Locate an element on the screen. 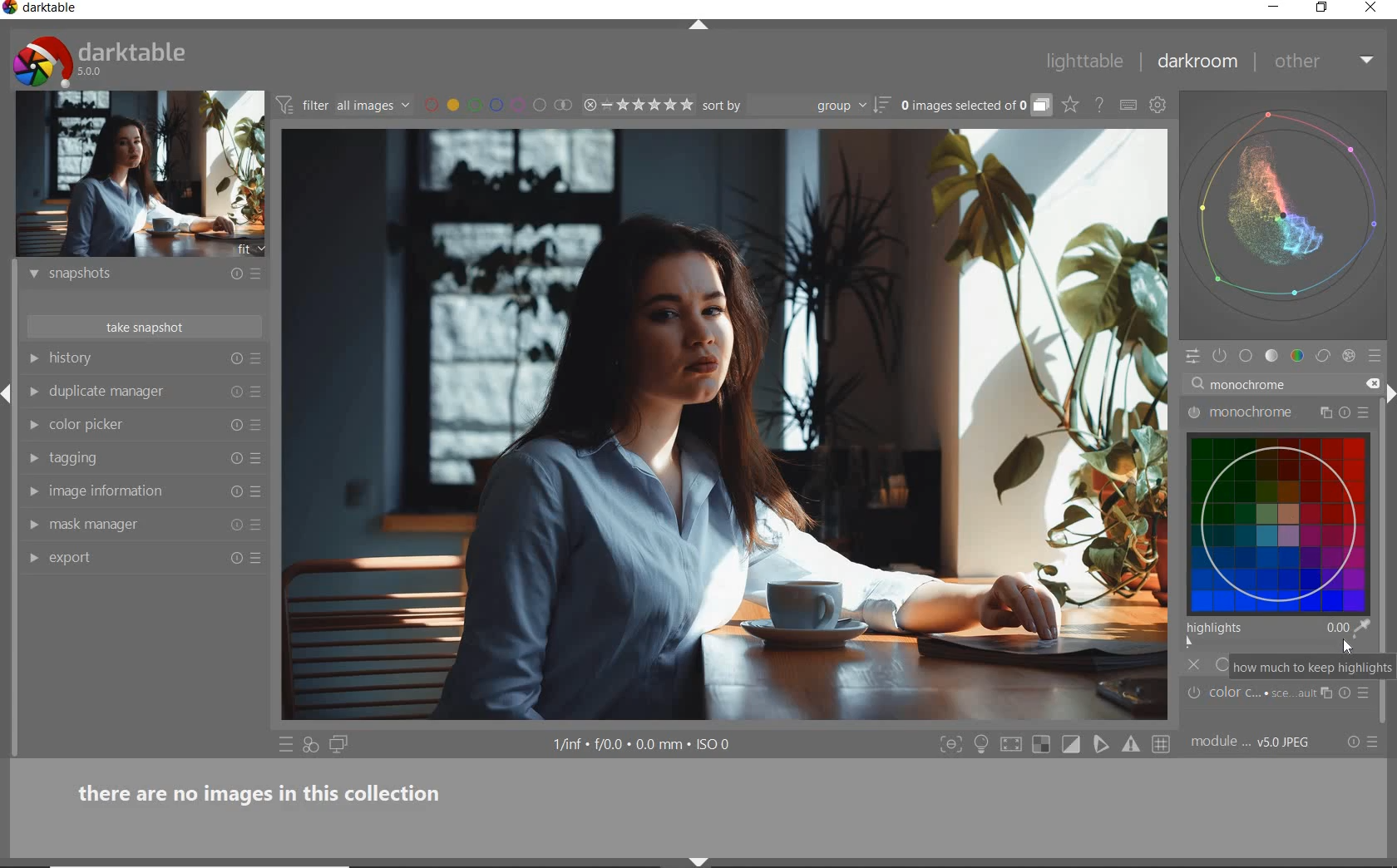 The height and width of the screenshot is (868, 1397). tagging is located at coordinates (131, 458).